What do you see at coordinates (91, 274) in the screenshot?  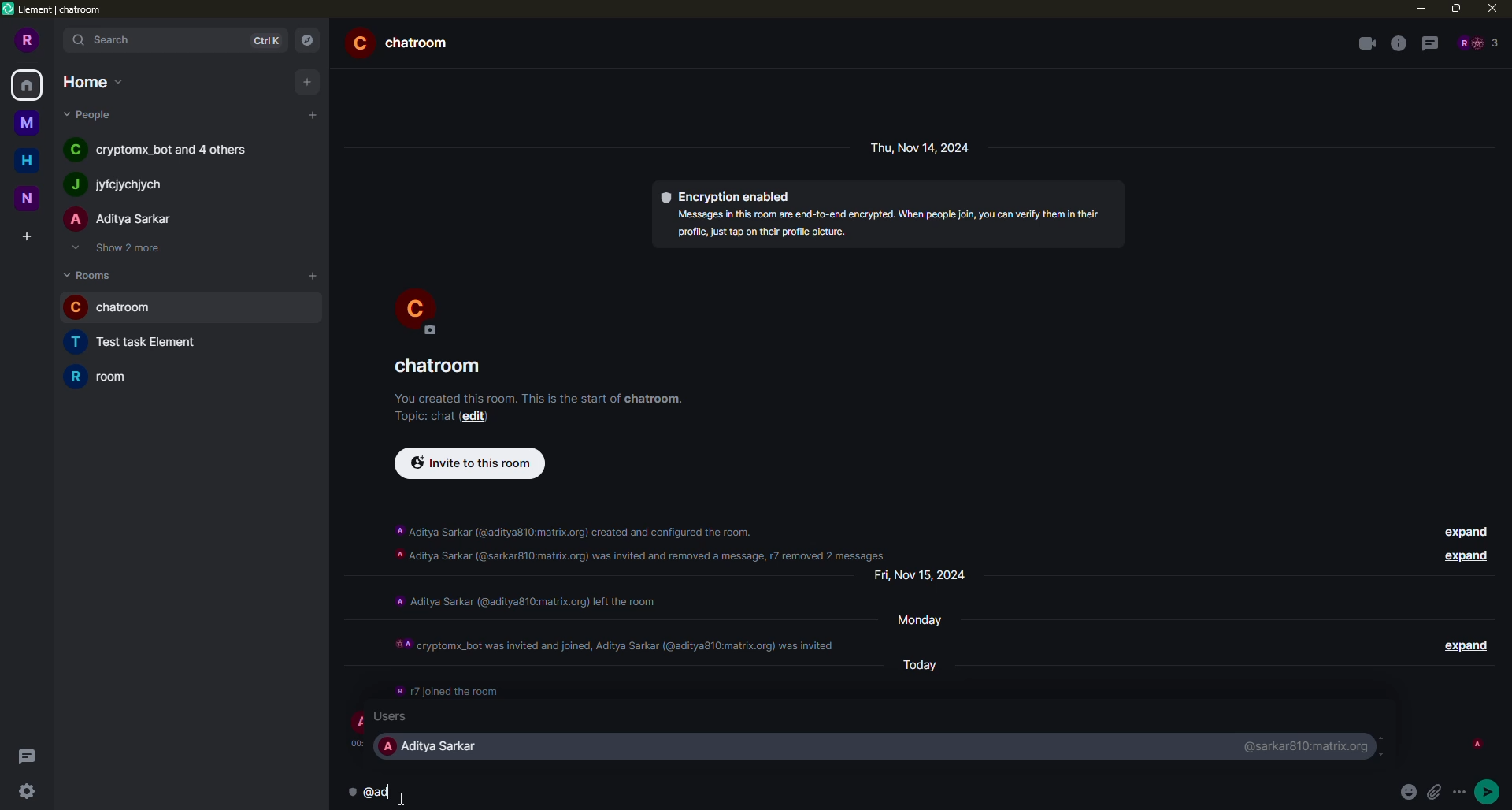 I see `rooms` at bounding box center [91, 274].